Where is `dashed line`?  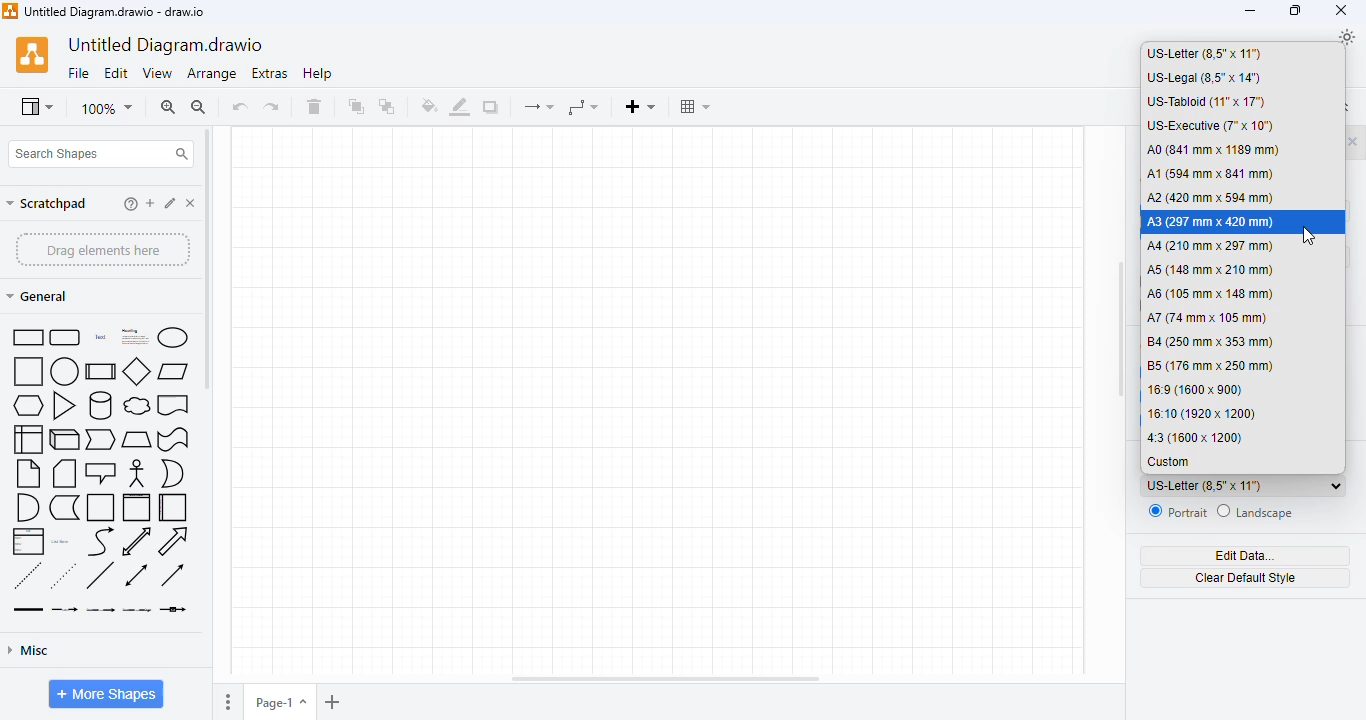
dashed line is located at coordinates (27, 575).